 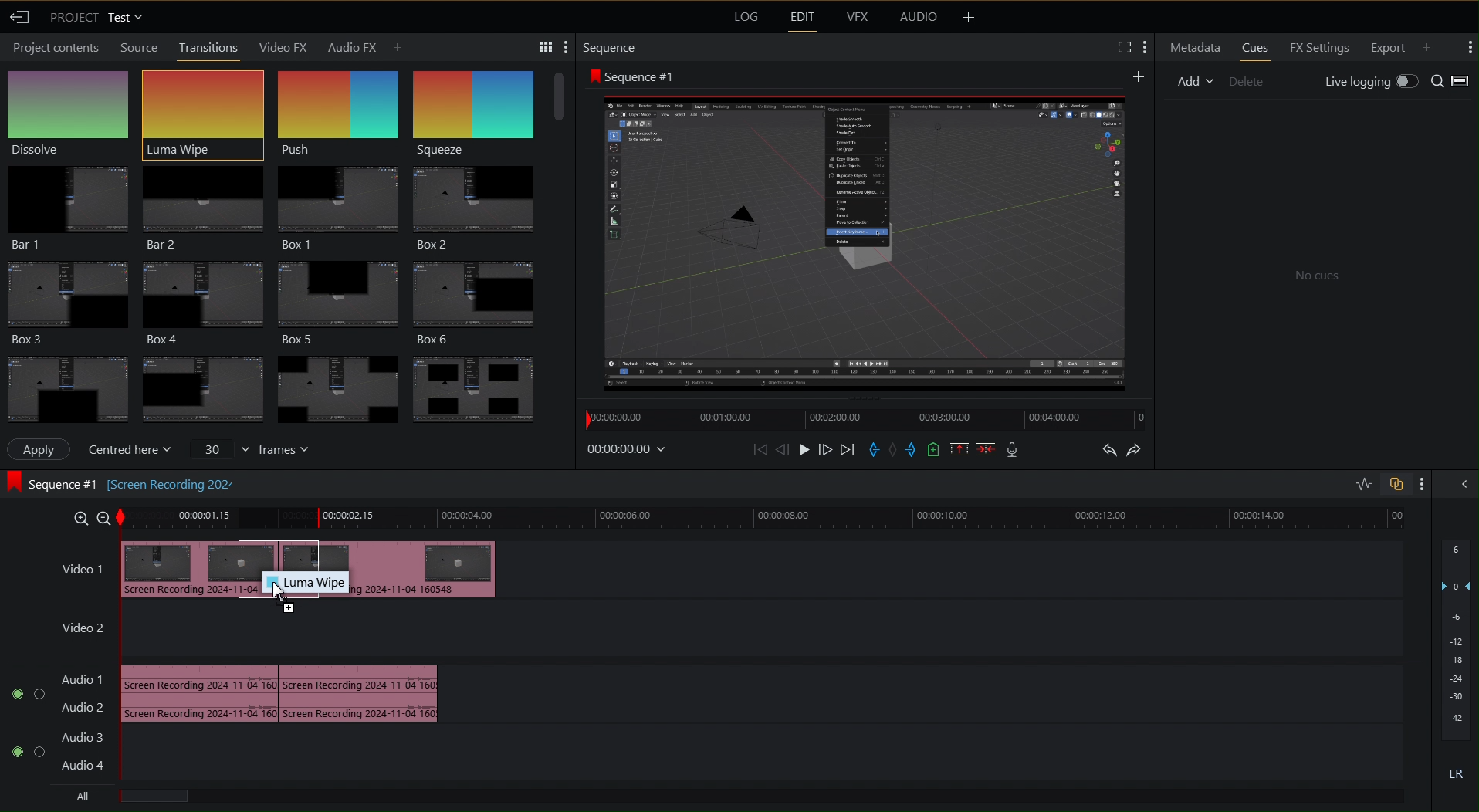 What do you see at coordinates (73, 753) in the screenshot?
I see `Audio Track 2` at bounding box center [73, 753].